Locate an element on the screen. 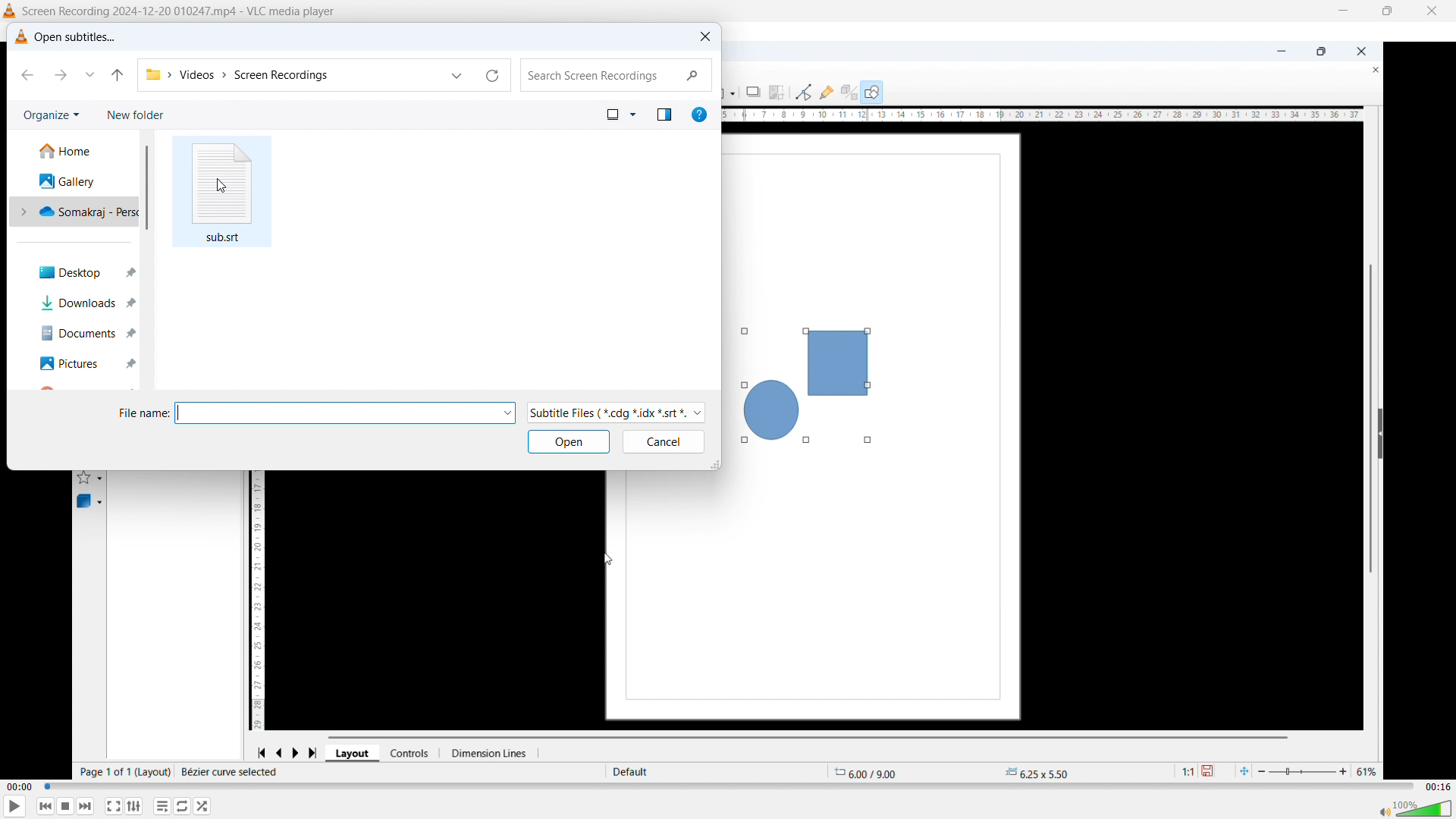 This screenshot has width=1456, height=819. Time elapsed  is located at coordinates (20, 787).